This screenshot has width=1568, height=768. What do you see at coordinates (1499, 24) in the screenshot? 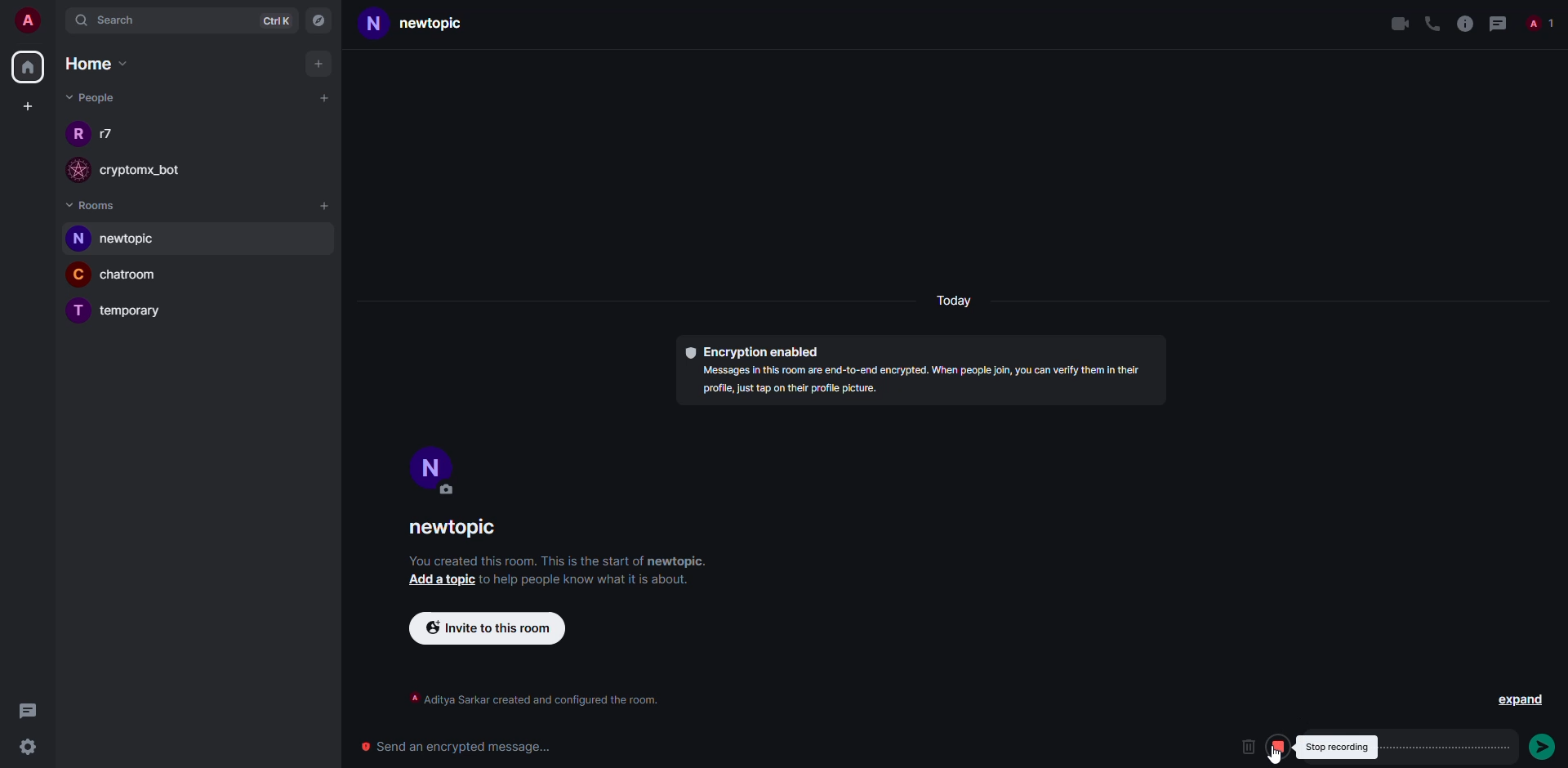
I see `threads` at bounding box center [1499, 24].